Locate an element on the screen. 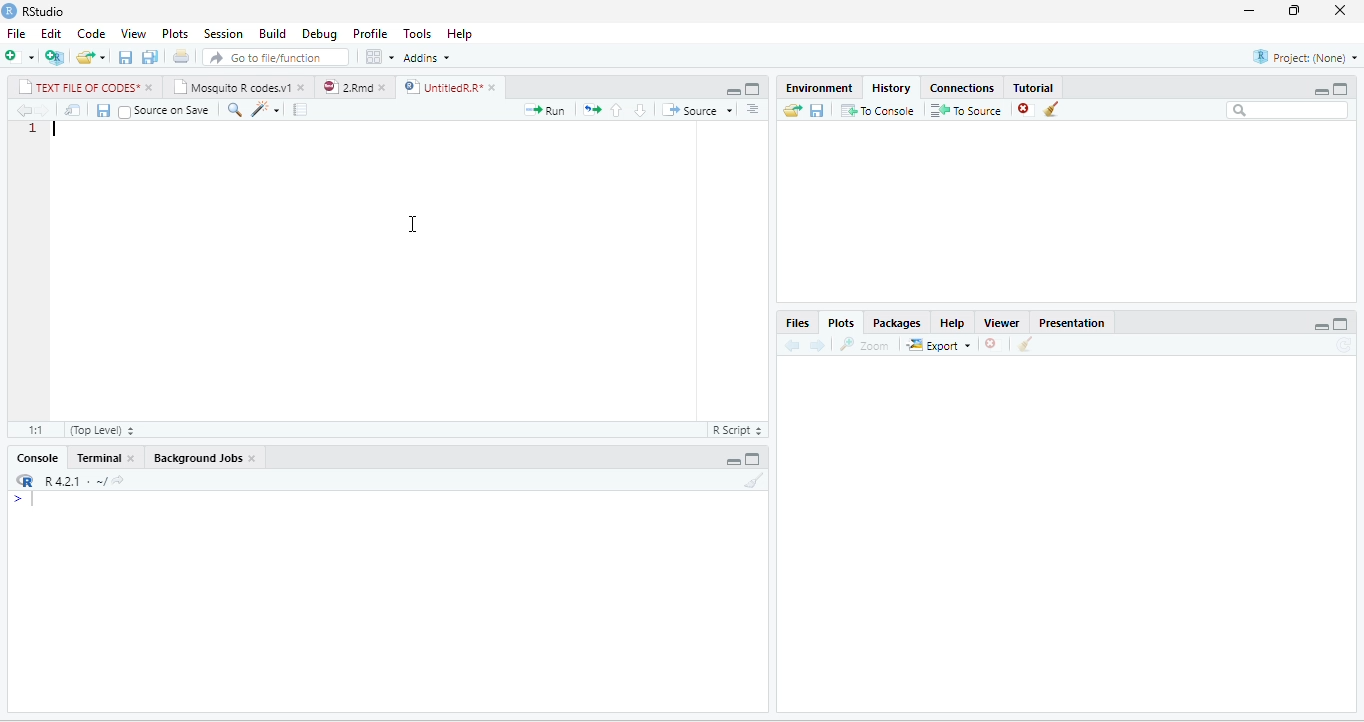 This screenshot has width=1364, height=722. forward is located at coordinates (817, 345).